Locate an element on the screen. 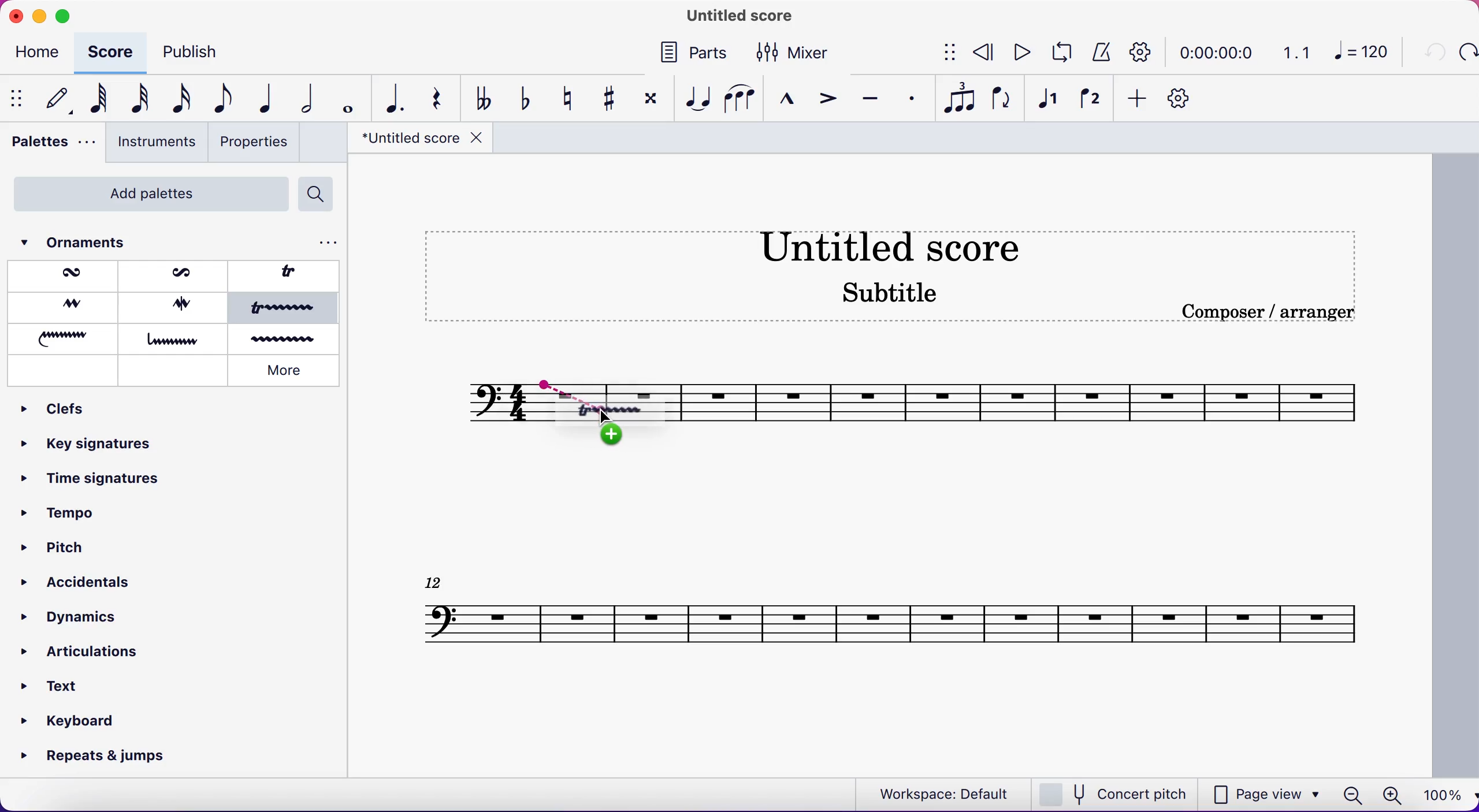 The width and height of the screenshot is (1479, 812). time signatures is located at coordinates (92, 486).